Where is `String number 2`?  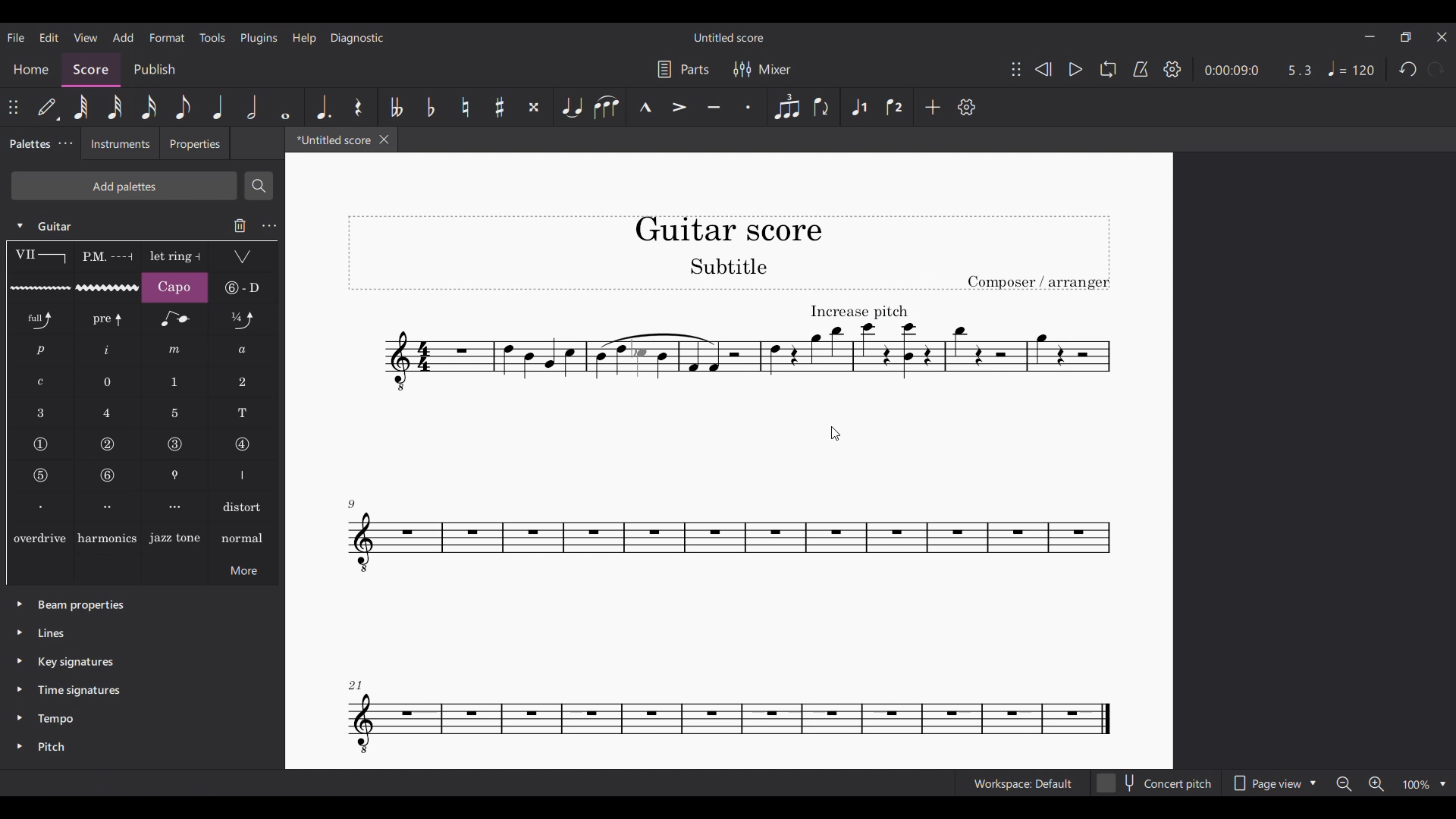
String number 2 is located at coordinates (108, 444).